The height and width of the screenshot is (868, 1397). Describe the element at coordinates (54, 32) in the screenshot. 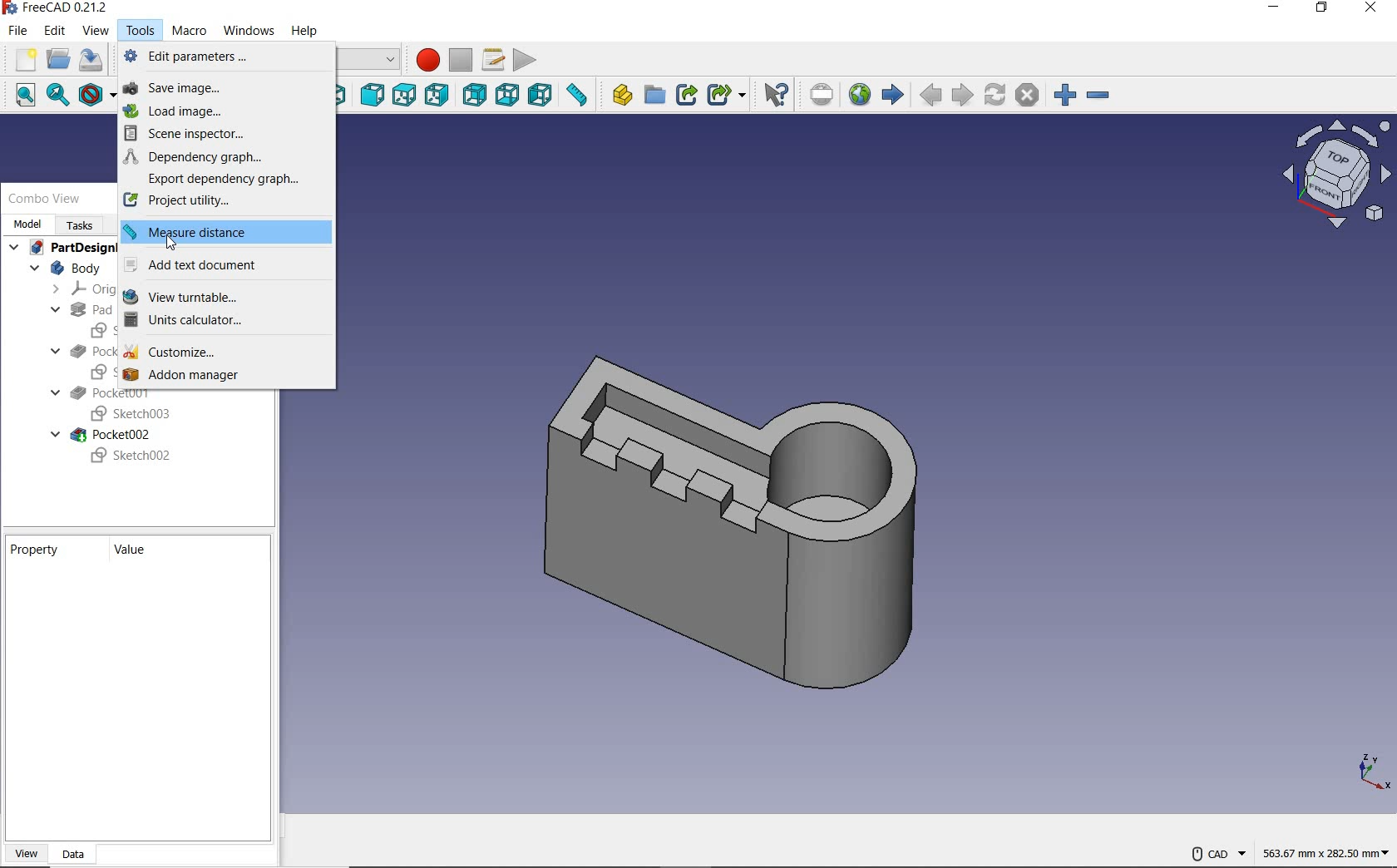

I see `edit` at that location.